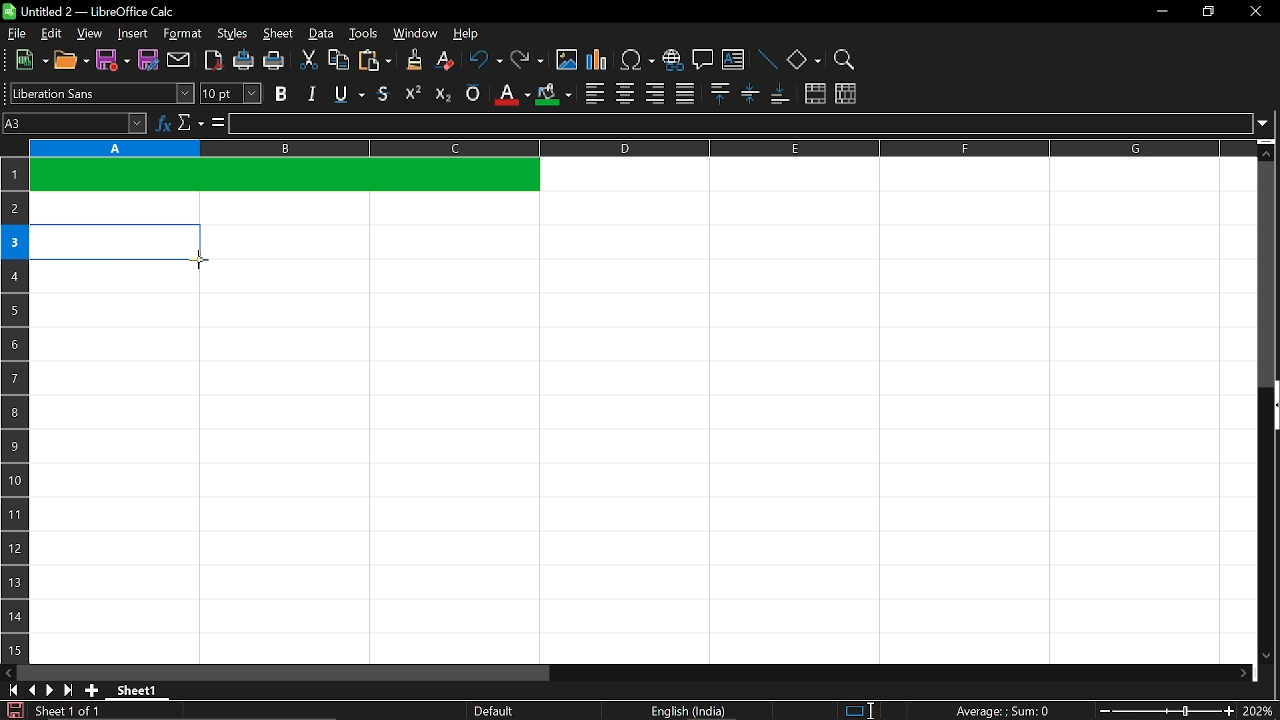 The height and width of the screenshot is (720, 1280). What do you see at coordinates (48, 34) in the screenshot?
I see `edit` at bounding box center [48, 34].